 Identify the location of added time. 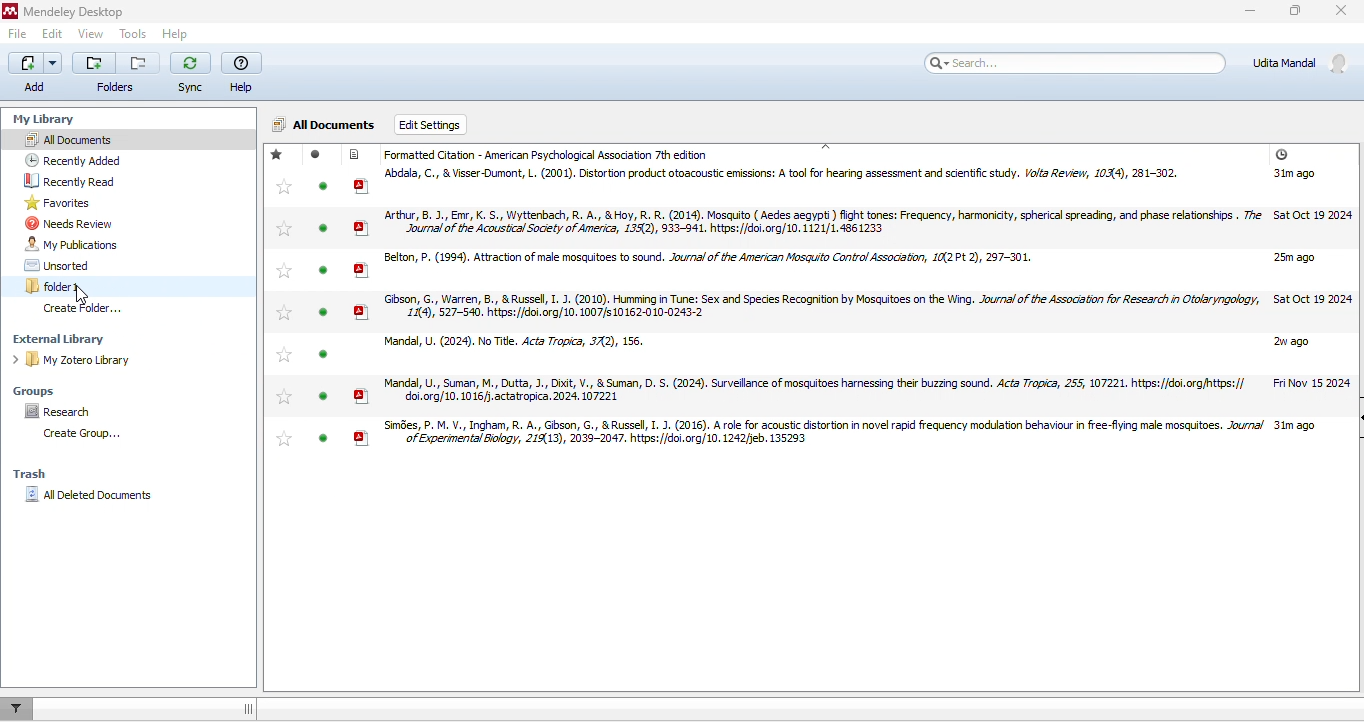
(1284, 155).